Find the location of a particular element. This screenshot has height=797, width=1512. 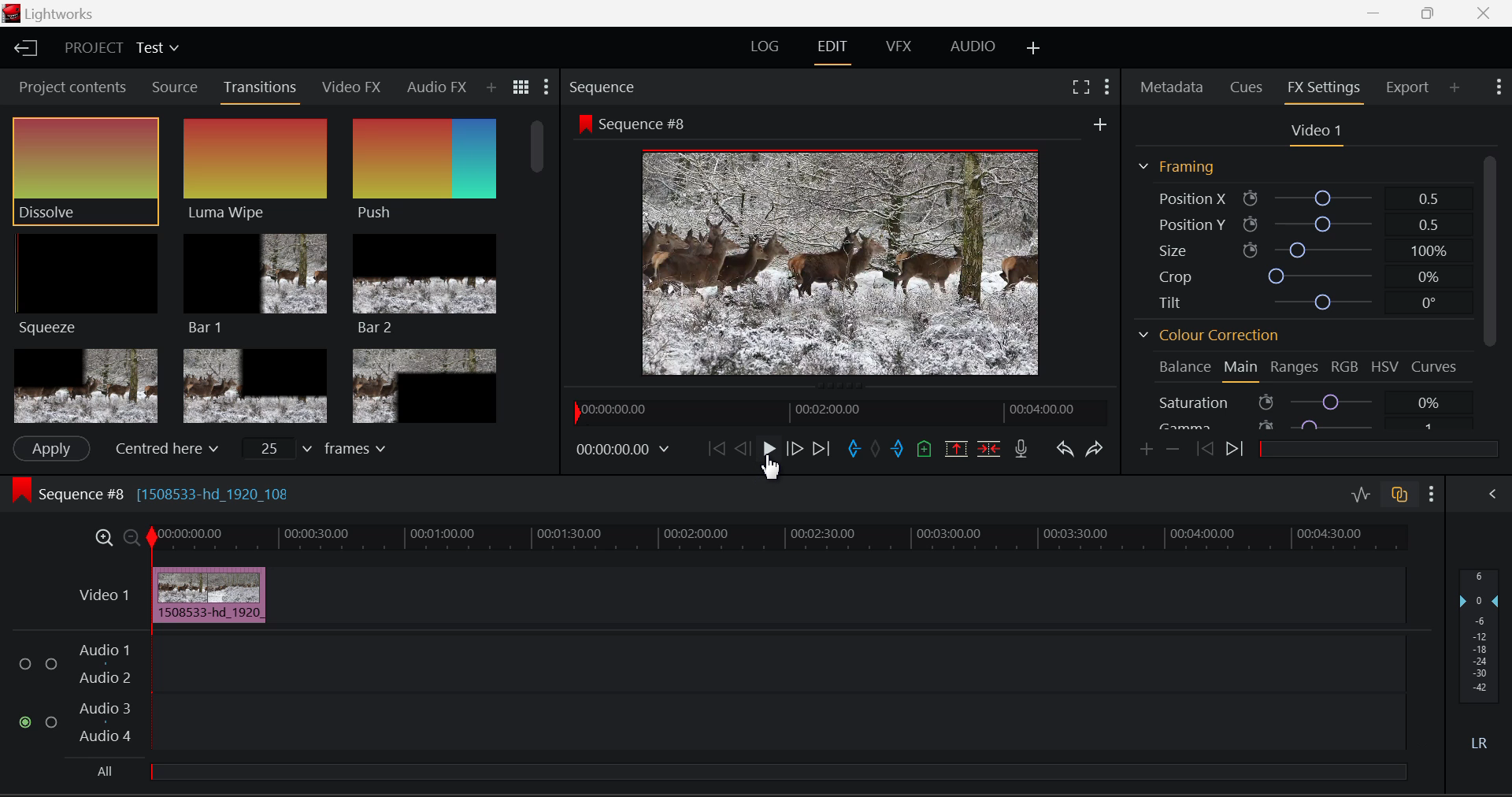

Add Panel is located at coordinates (491, 88).